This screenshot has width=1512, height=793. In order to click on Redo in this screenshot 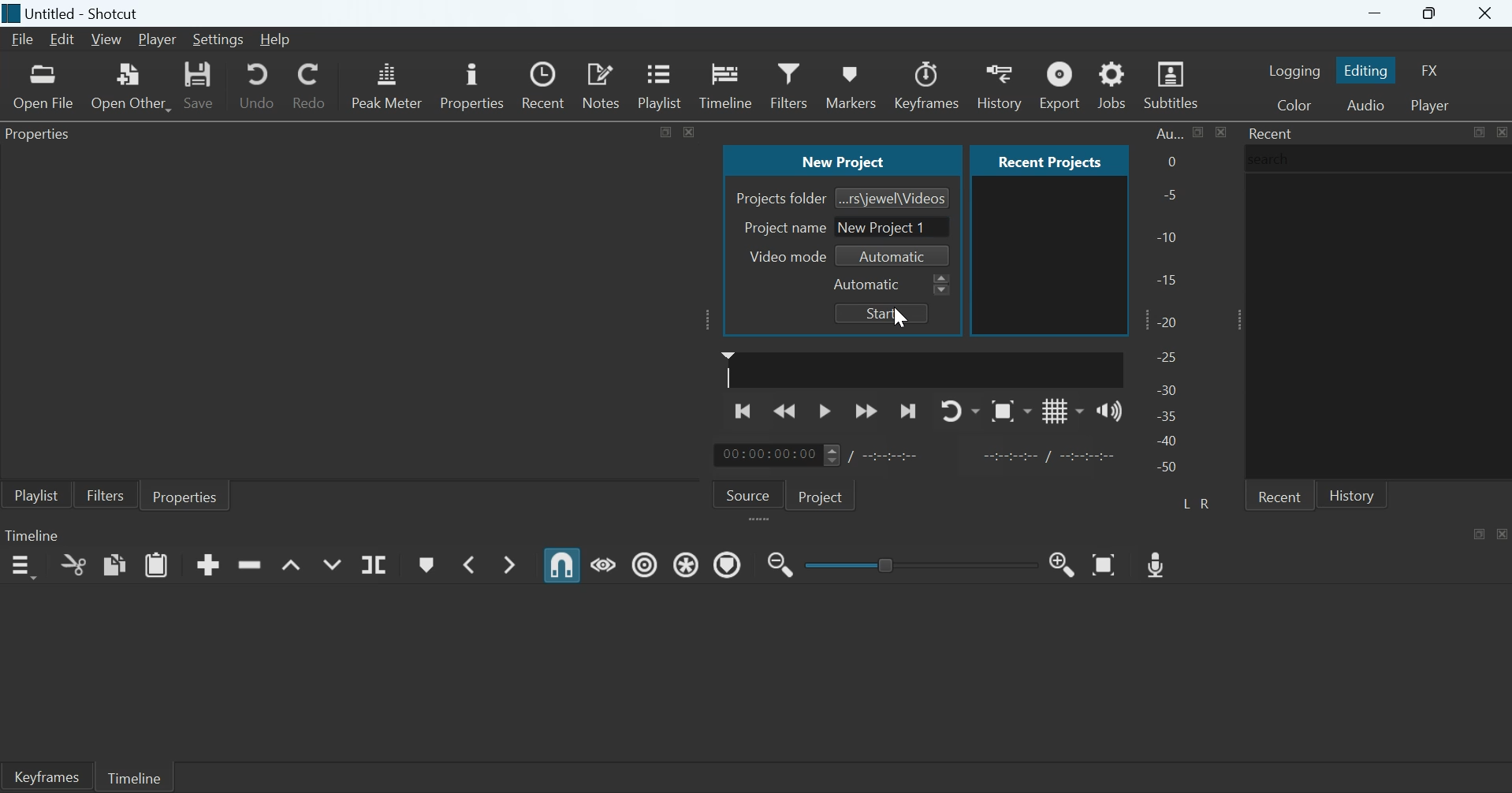, I will do `click(308, 83)`.